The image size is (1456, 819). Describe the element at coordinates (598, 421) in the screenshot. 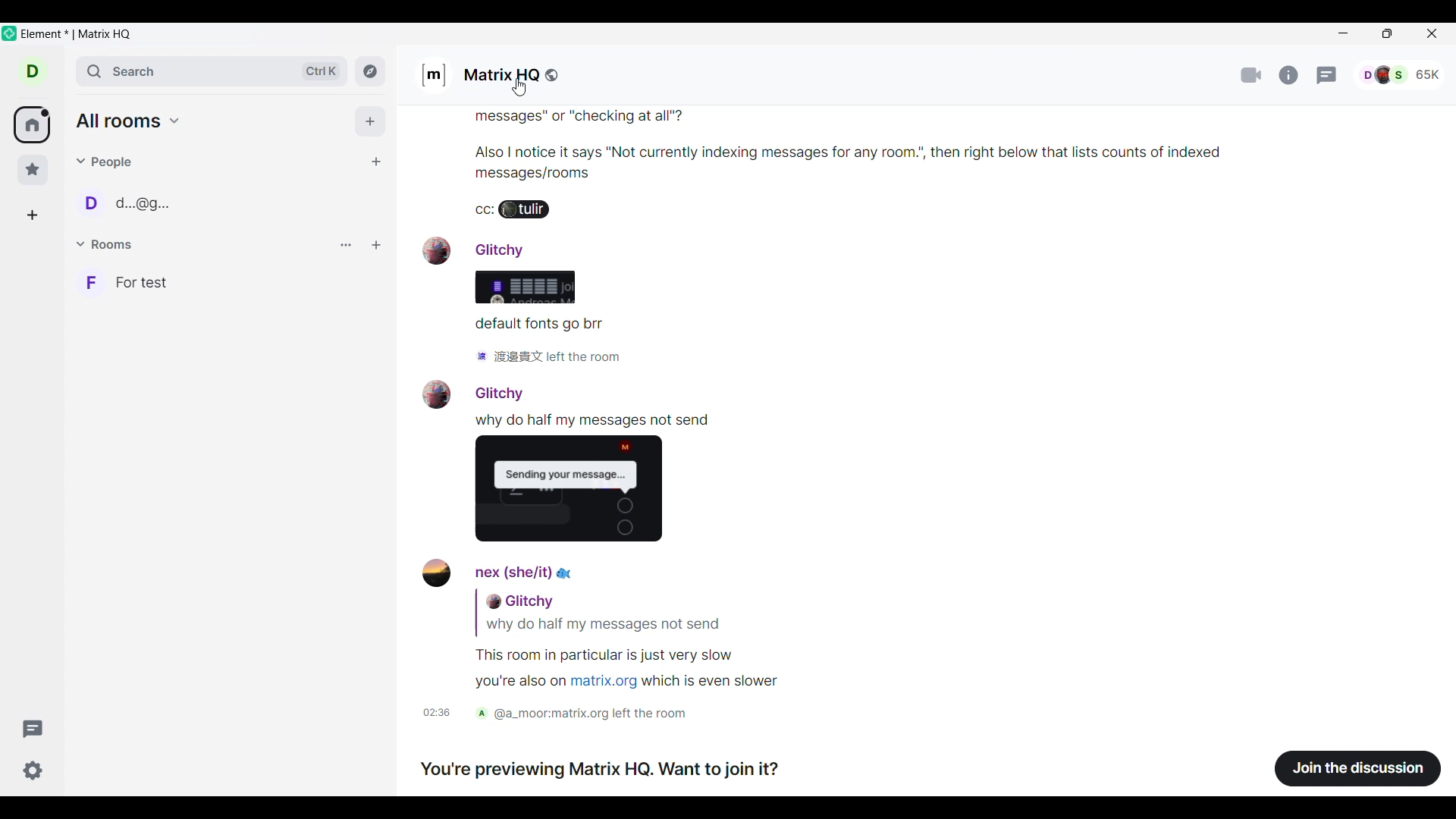

I see `why do half my message not send` at that location.